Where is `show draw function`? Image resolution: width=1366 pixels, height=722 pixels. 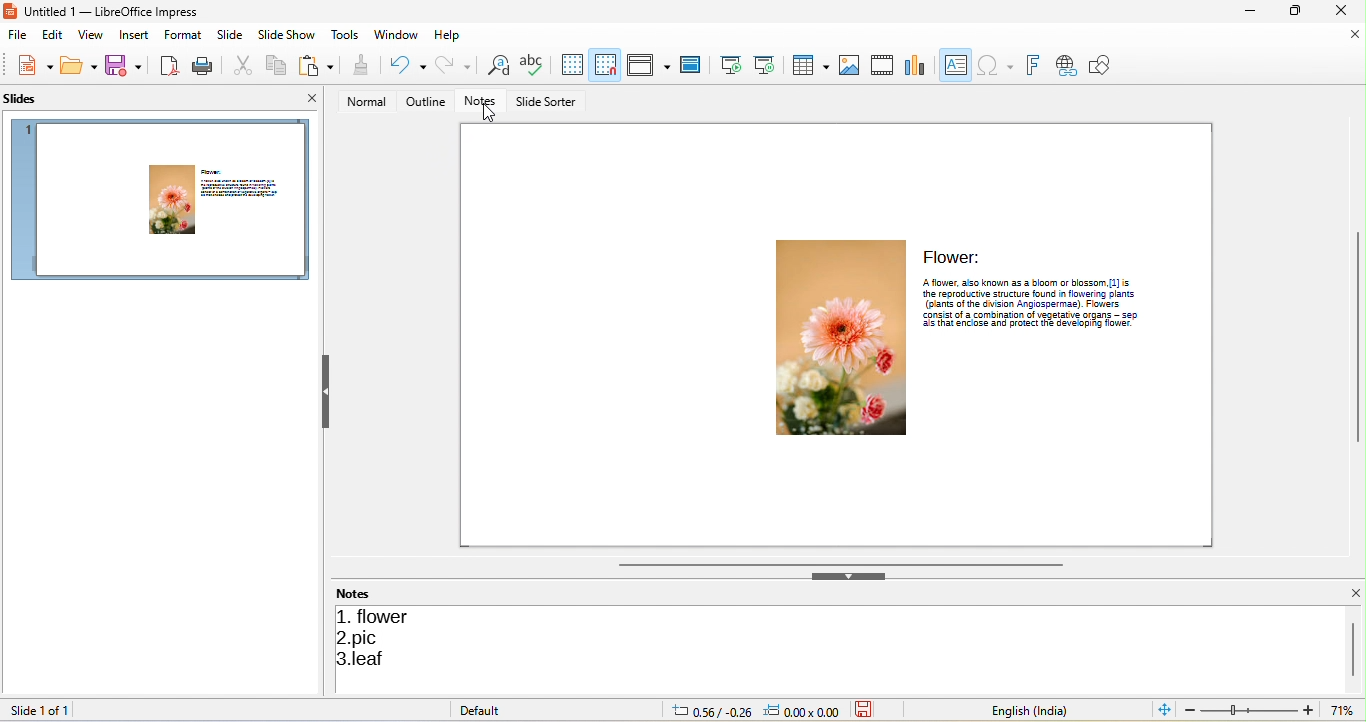
show draw function is located at coordinates (1102, 64).